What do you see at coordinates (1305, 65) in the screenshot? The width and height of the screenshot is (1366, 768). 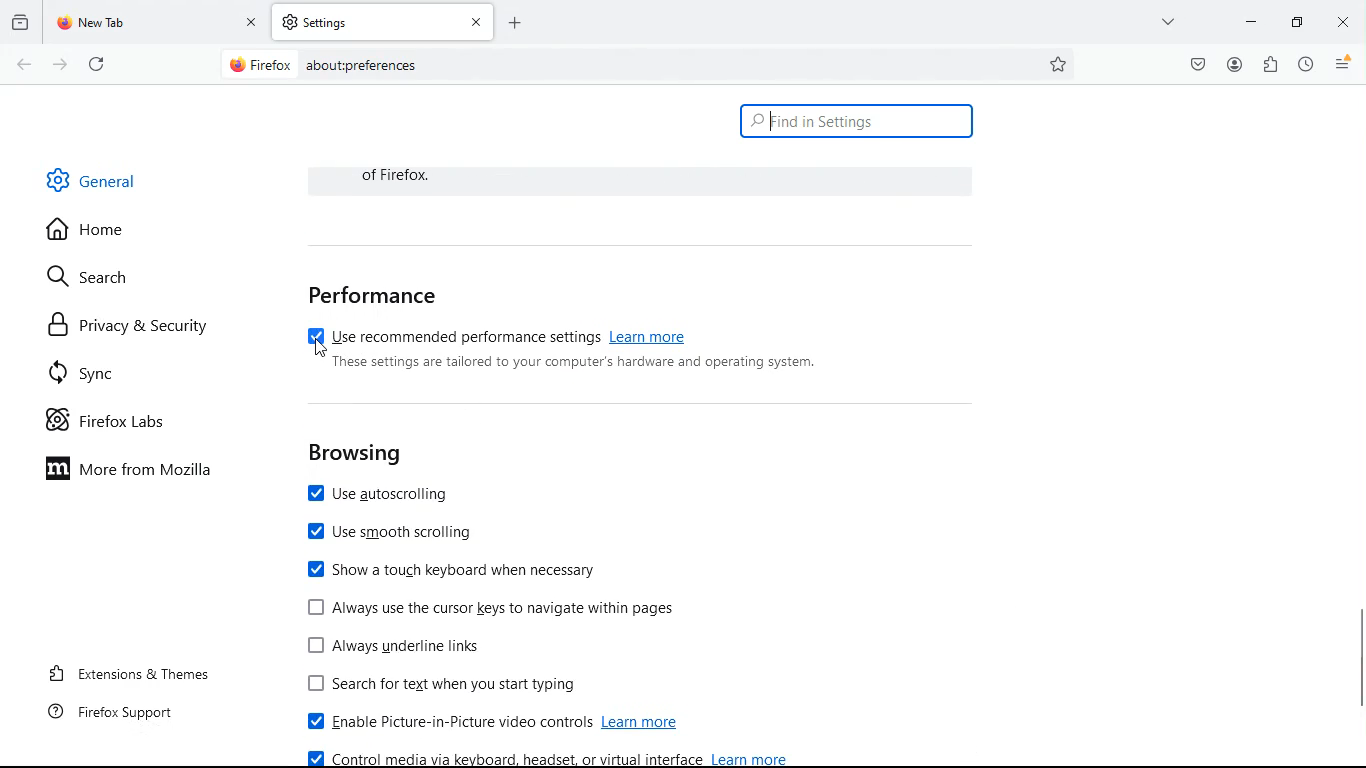 I see `history` at bounding box center [1305, 65].